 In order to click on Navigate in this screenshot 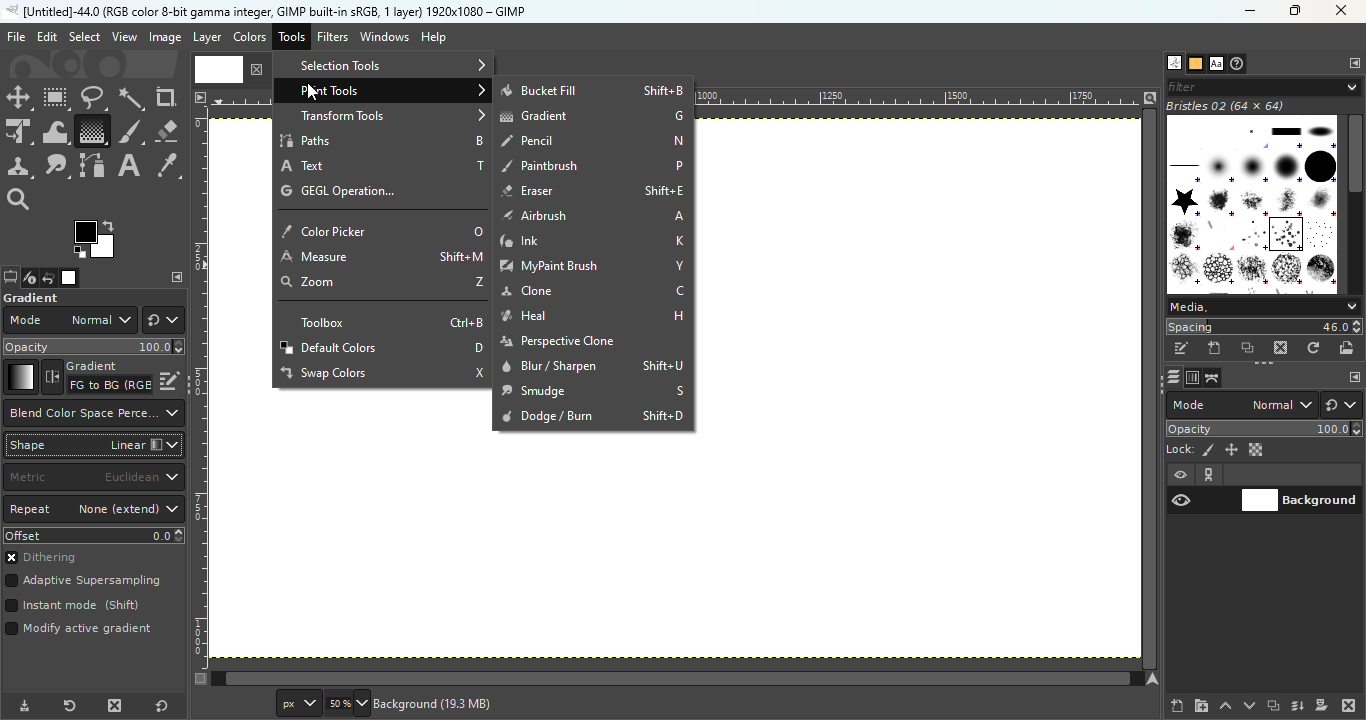, I will do `click(1155, 679)`.